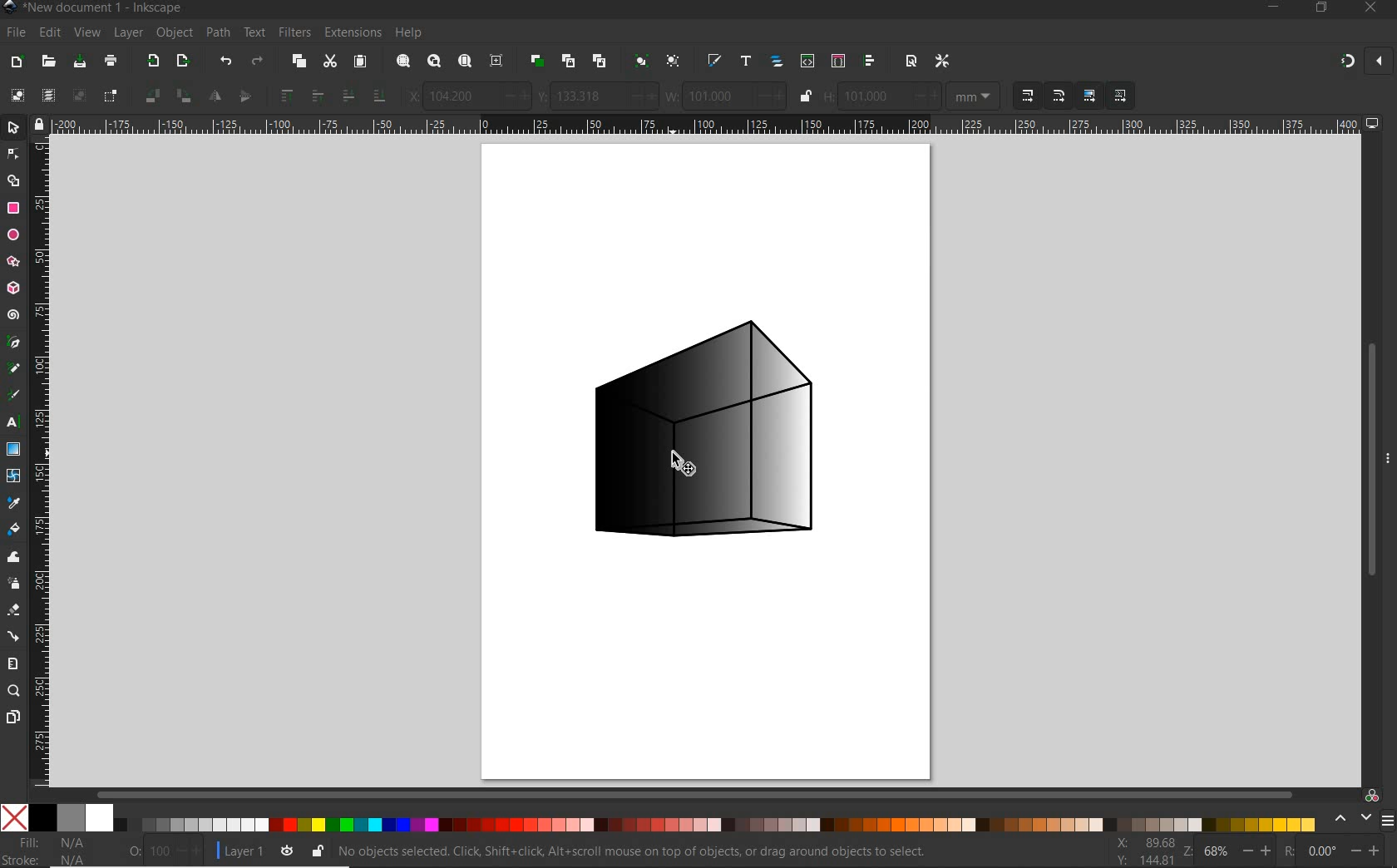 The width and height of the screenshot is (1397, 868). What do you see at coordinates (537, 62) in the screenshot?
I see `DUPLICATE` at bounding box center [537, 62].